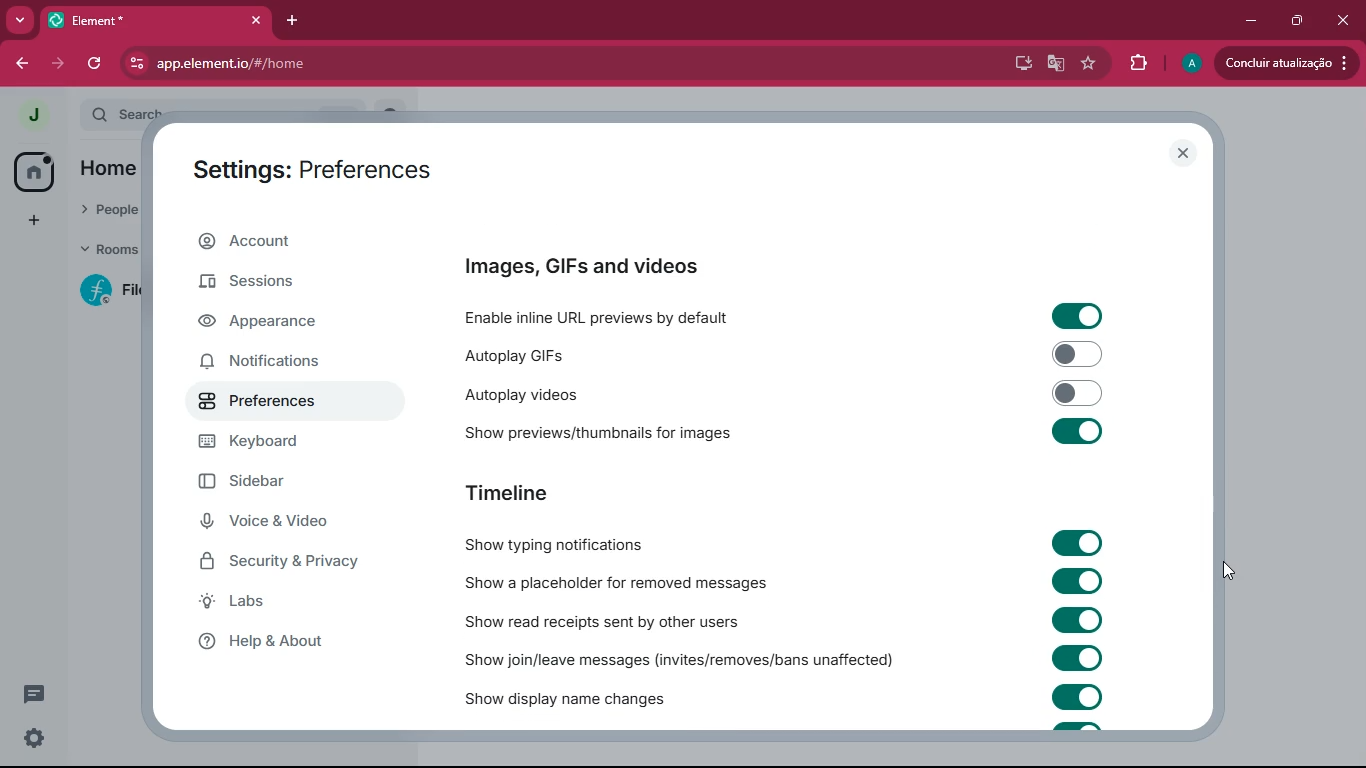 The image size is (1366, 768). What do you see at coordinates (1182, 153) in the screenshot?
I see `close` at bounding box center [1182, 153].